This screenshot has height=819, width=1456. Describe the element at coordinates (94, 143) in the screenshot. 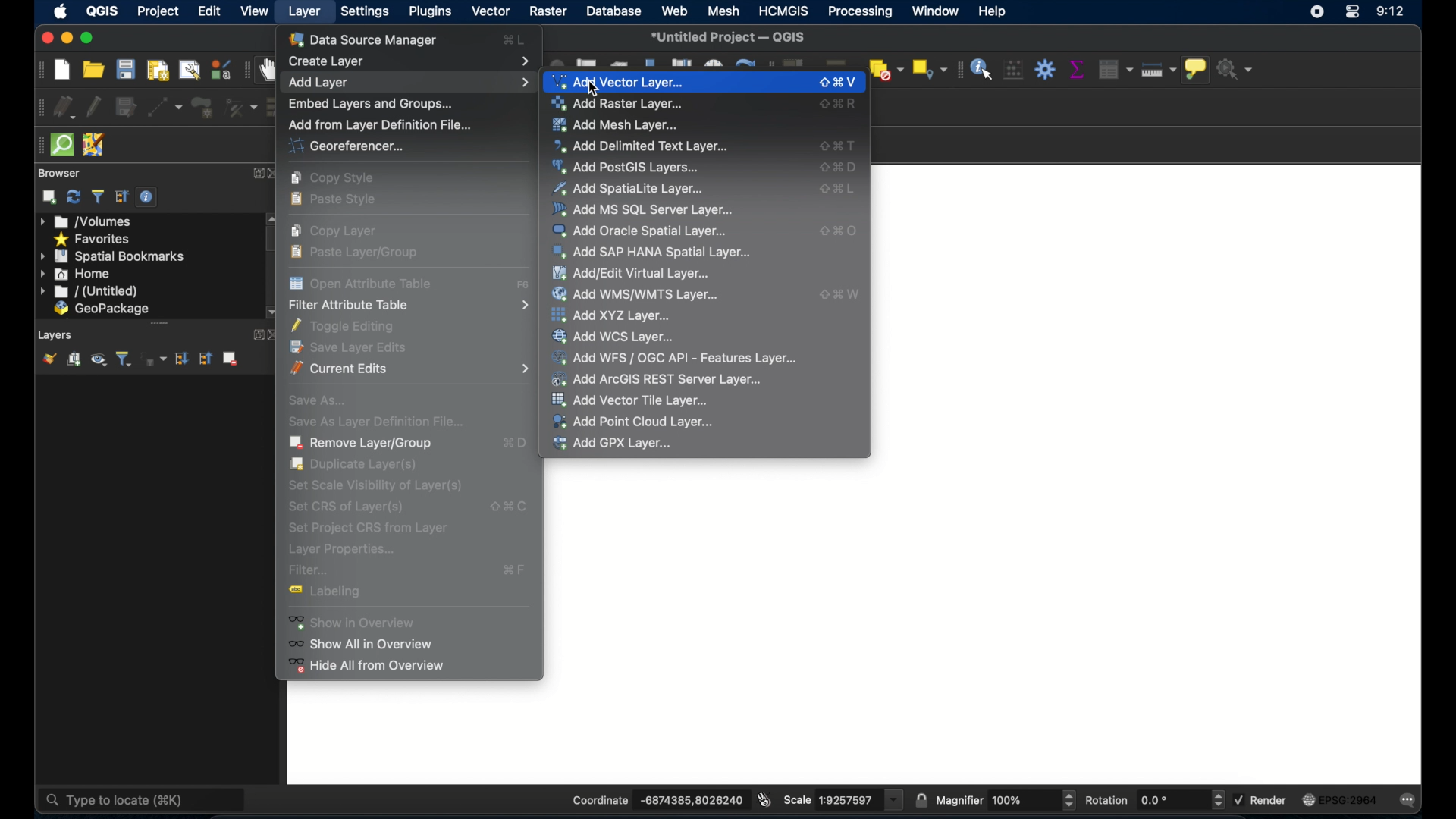

I see `josh remote` at that location.